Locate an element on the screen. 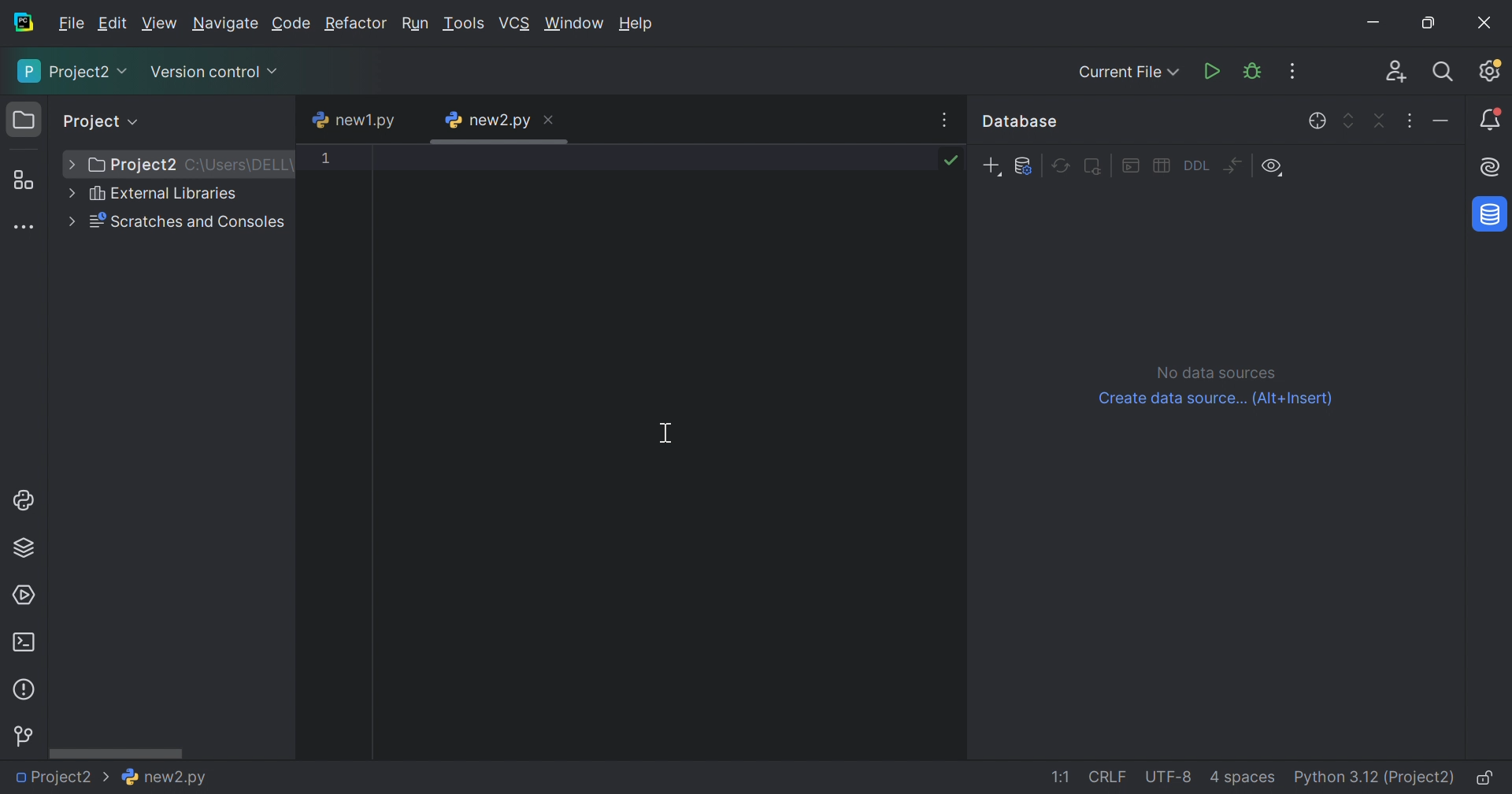 The width and height of the screenshot is (1512, 794). Make file read-only is located at coordinates (1487, 779).